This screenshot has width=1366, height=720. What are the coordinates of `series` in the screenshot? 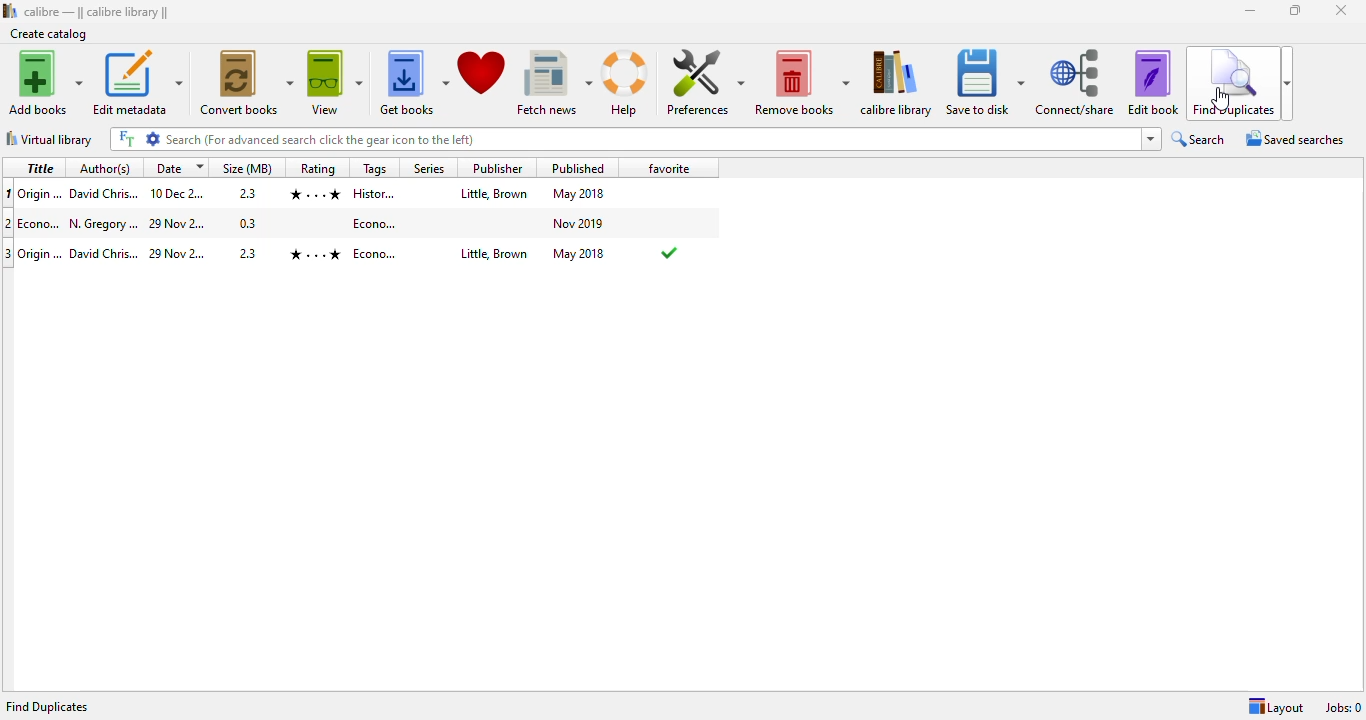 It's located at (428, 168).